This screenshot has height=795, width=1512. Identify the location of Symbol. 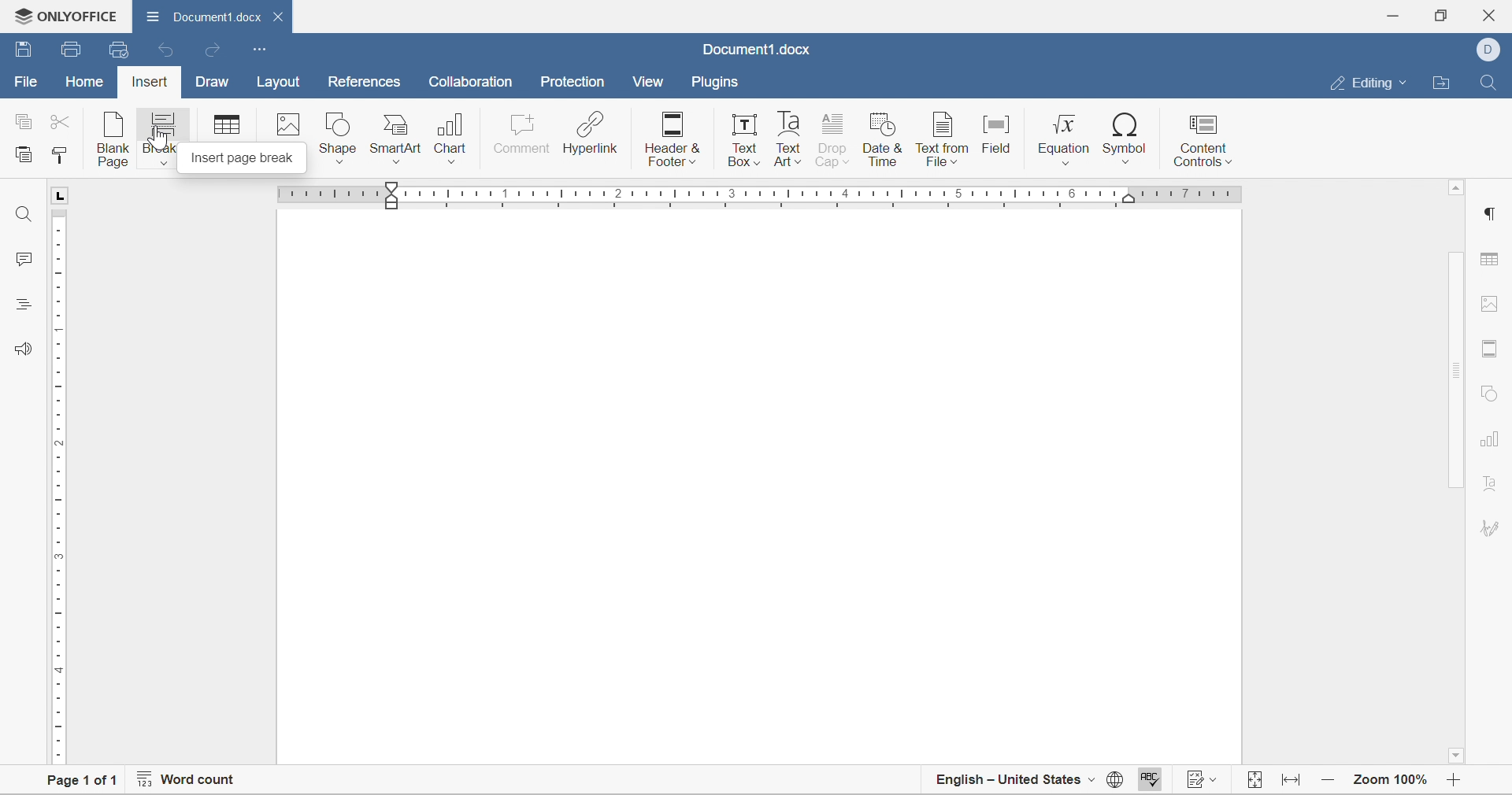
(1127, 139).